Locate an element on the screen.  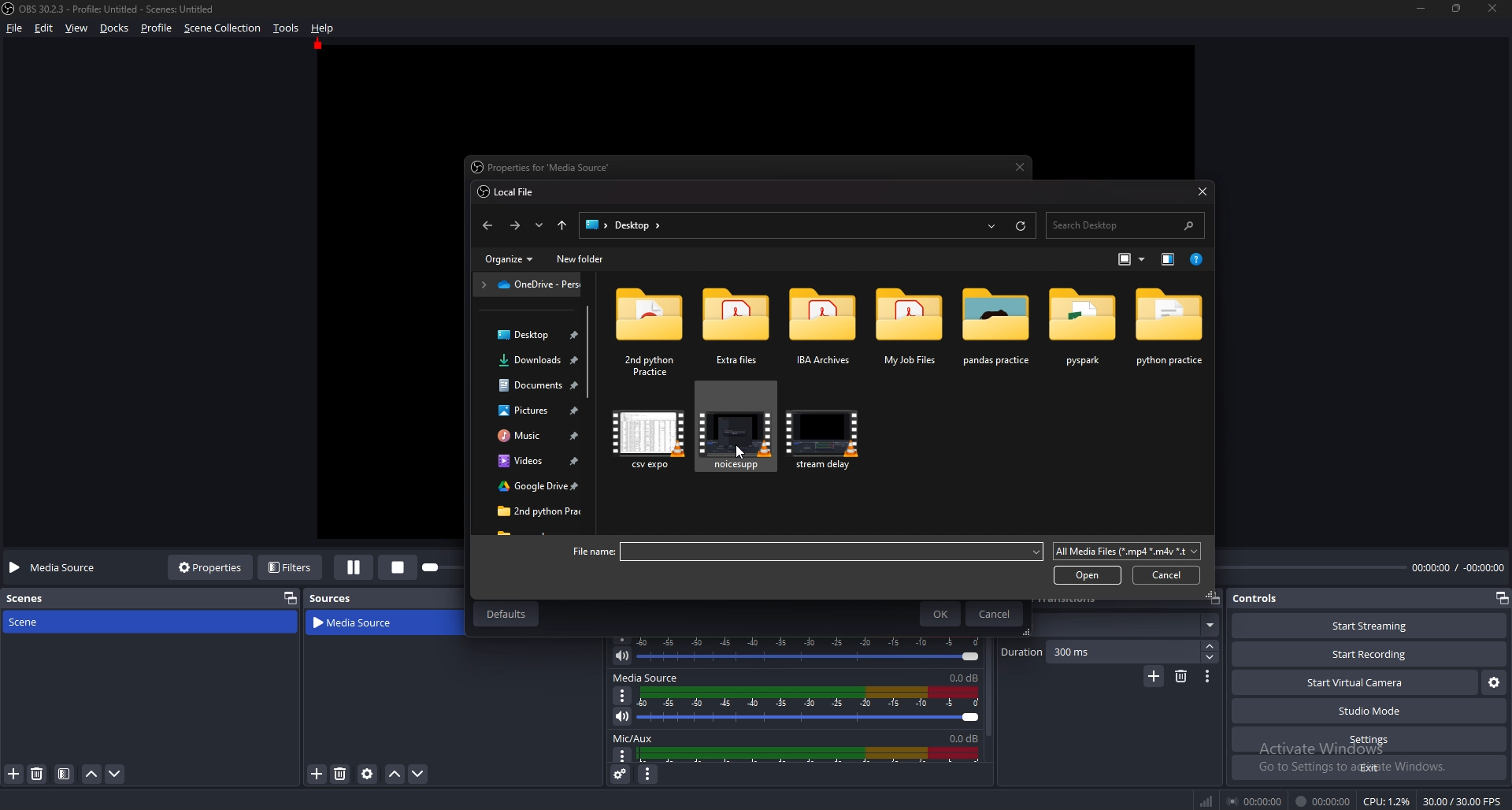
folder is located at coordinates (532, 462).